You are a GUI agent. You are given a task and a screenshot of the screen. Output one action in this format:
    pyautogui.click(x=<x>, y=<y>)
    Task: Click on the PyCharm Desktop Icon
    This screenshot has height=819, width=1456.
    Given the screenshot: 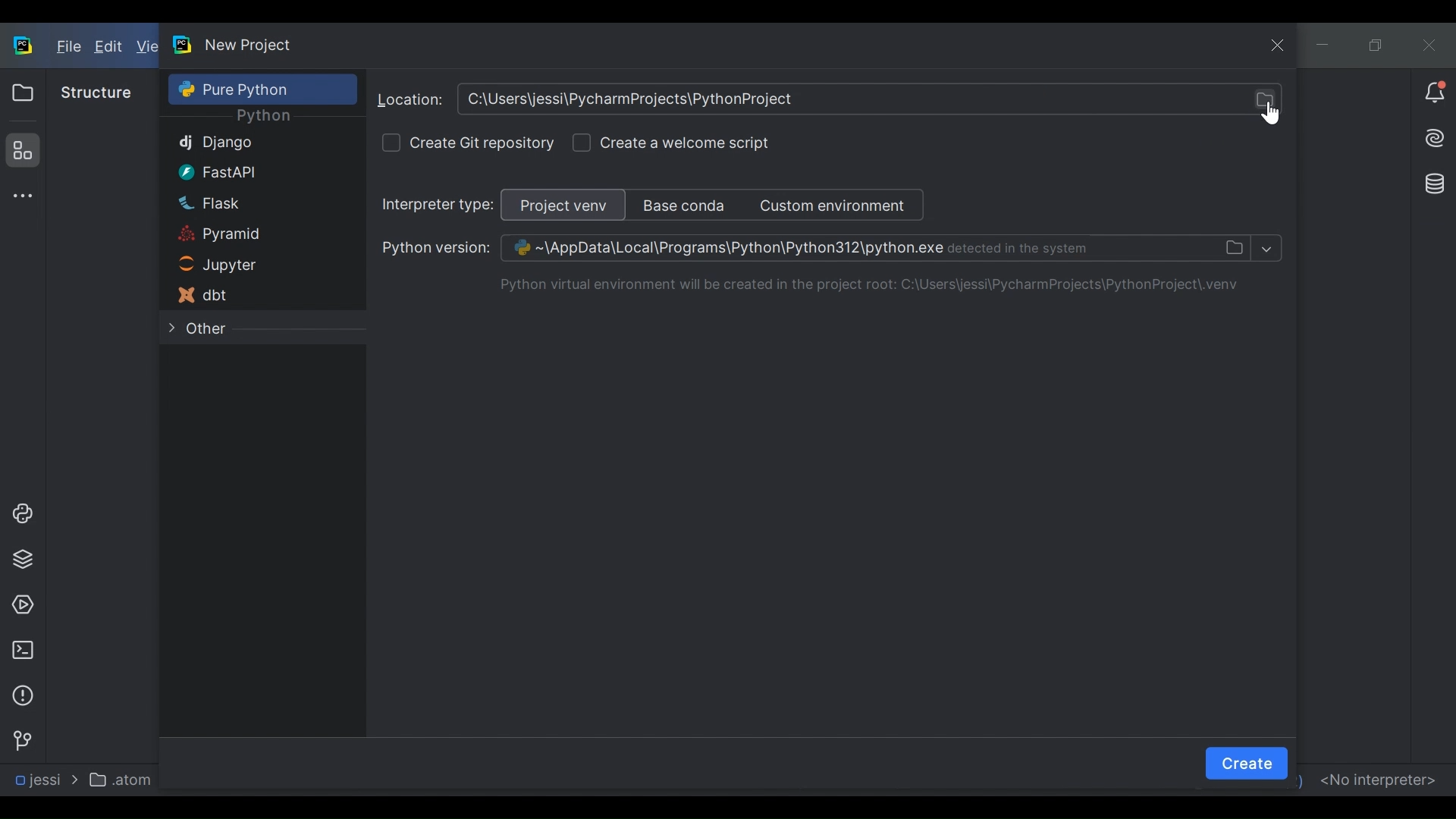 What is the action you would take?
    pyautogui.click(x=24, y=47)
    